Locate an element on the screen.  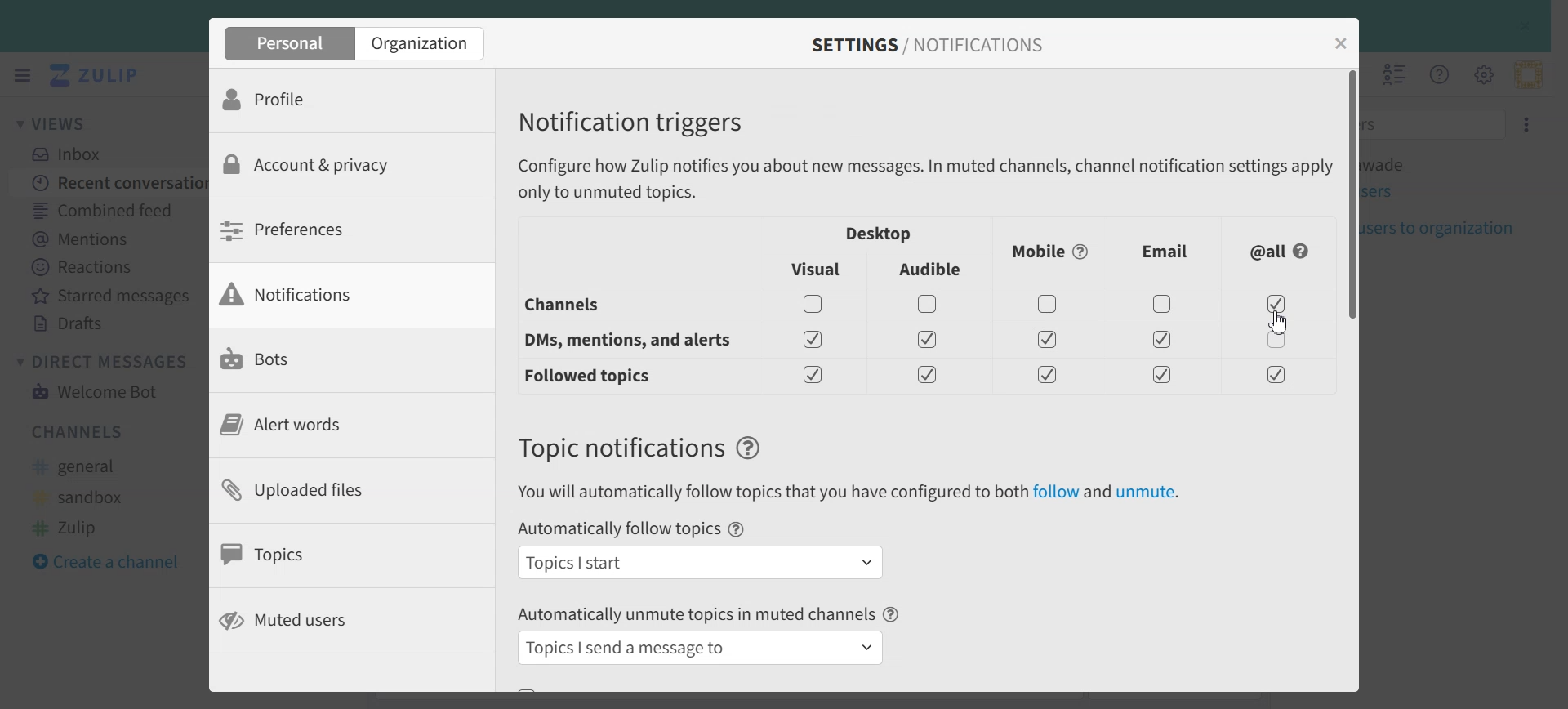
Automatically unmute topics in muted channels is located at coordinates (696, 613).